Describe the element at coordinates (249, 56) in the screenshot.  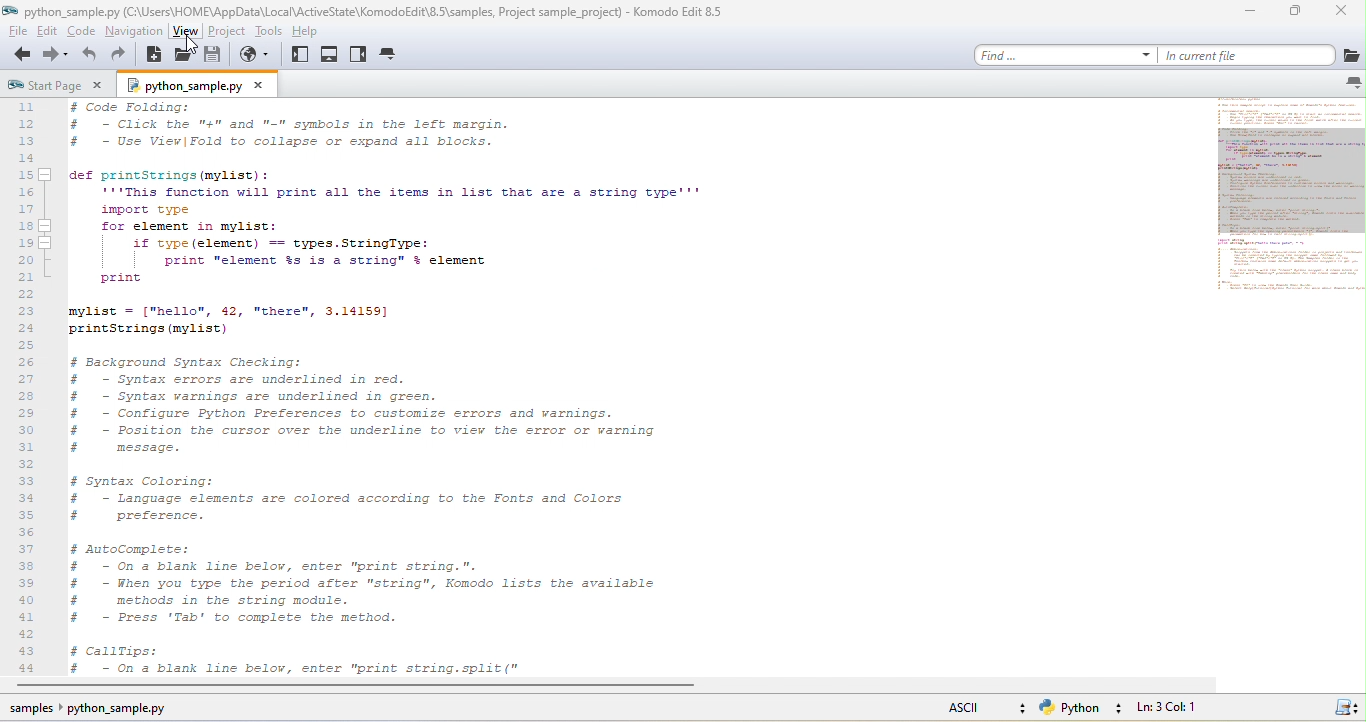
I see `browse` at that location.